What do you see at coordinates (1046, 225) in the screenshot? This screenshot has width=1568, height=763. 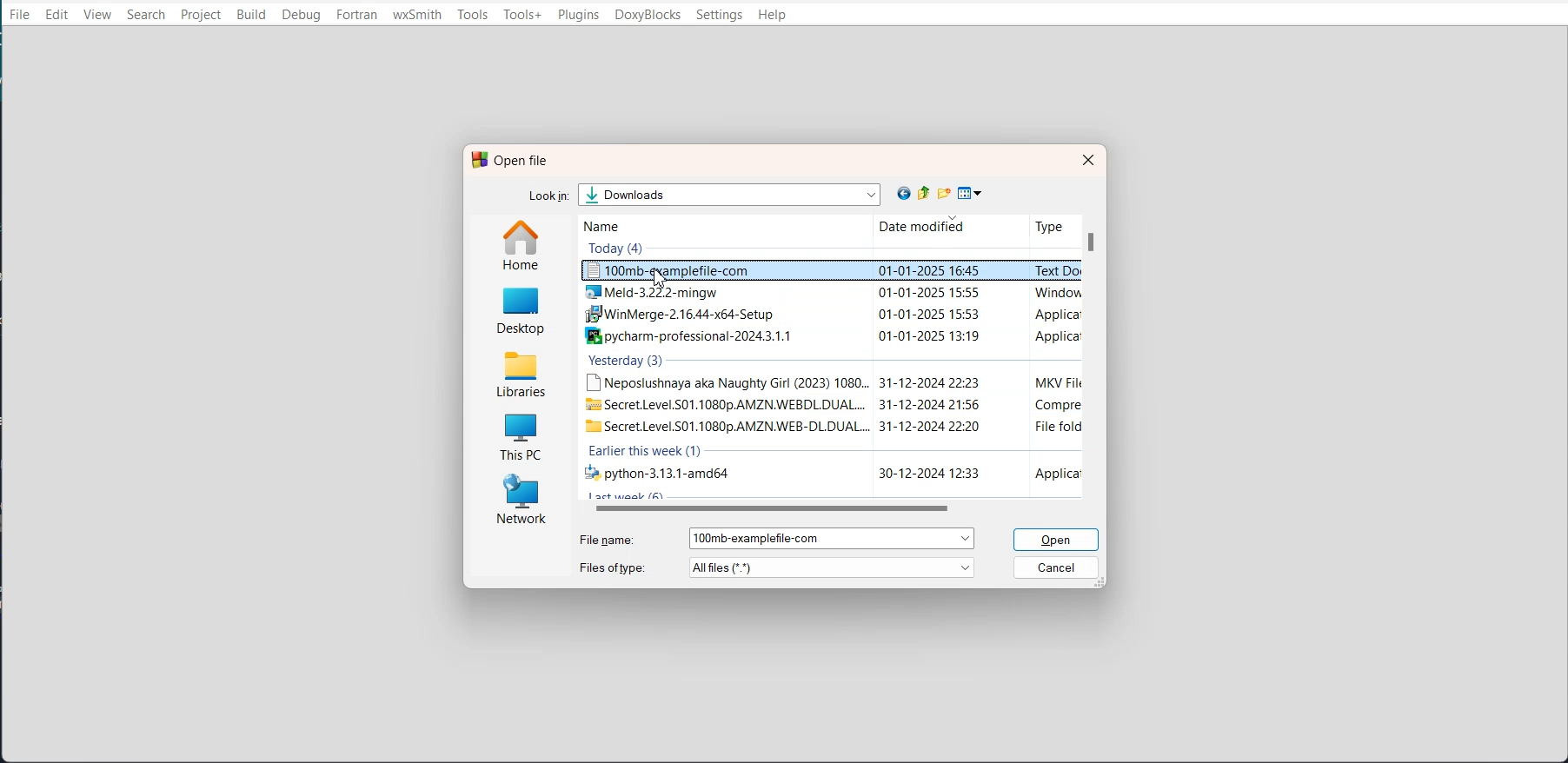 I see `type` at bounding box center [1046, 225].